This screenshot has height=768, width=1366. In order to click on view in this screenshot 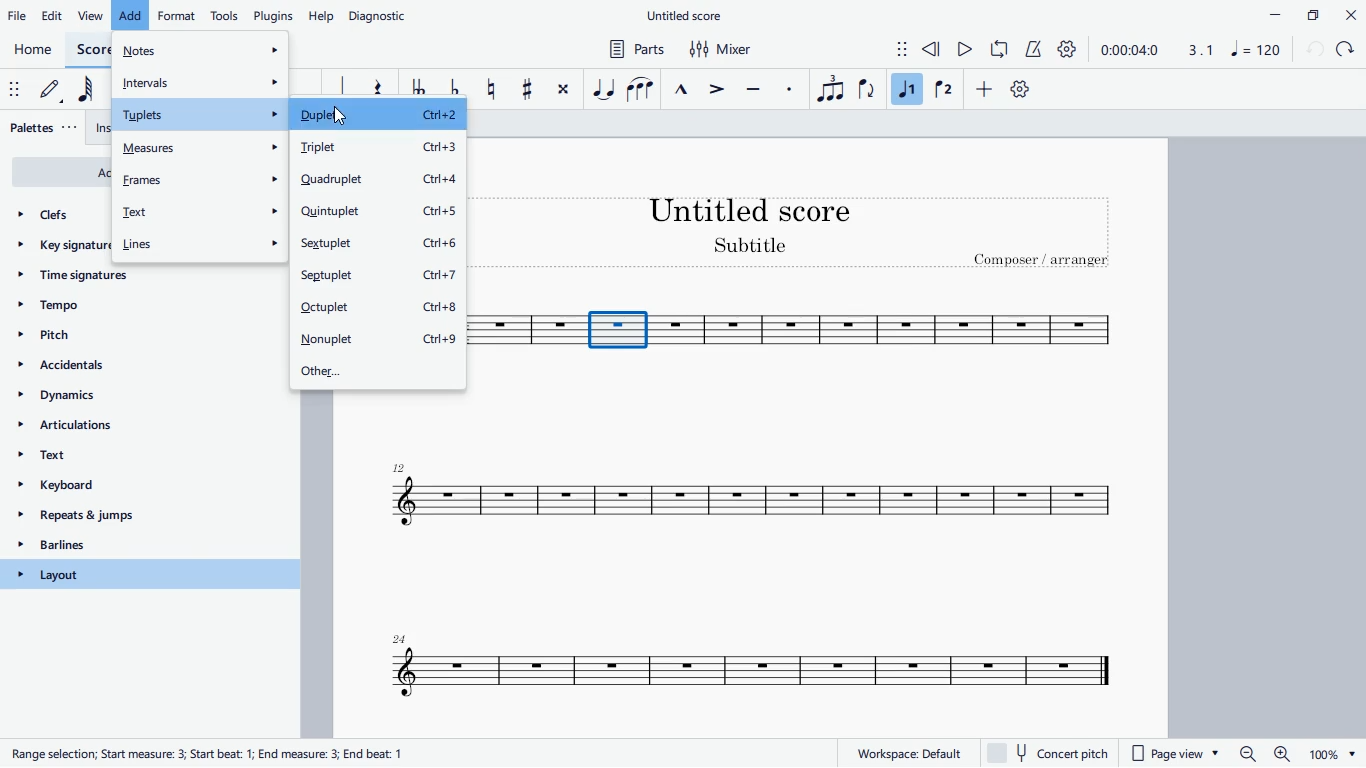, I will do `click(91, 16)`.